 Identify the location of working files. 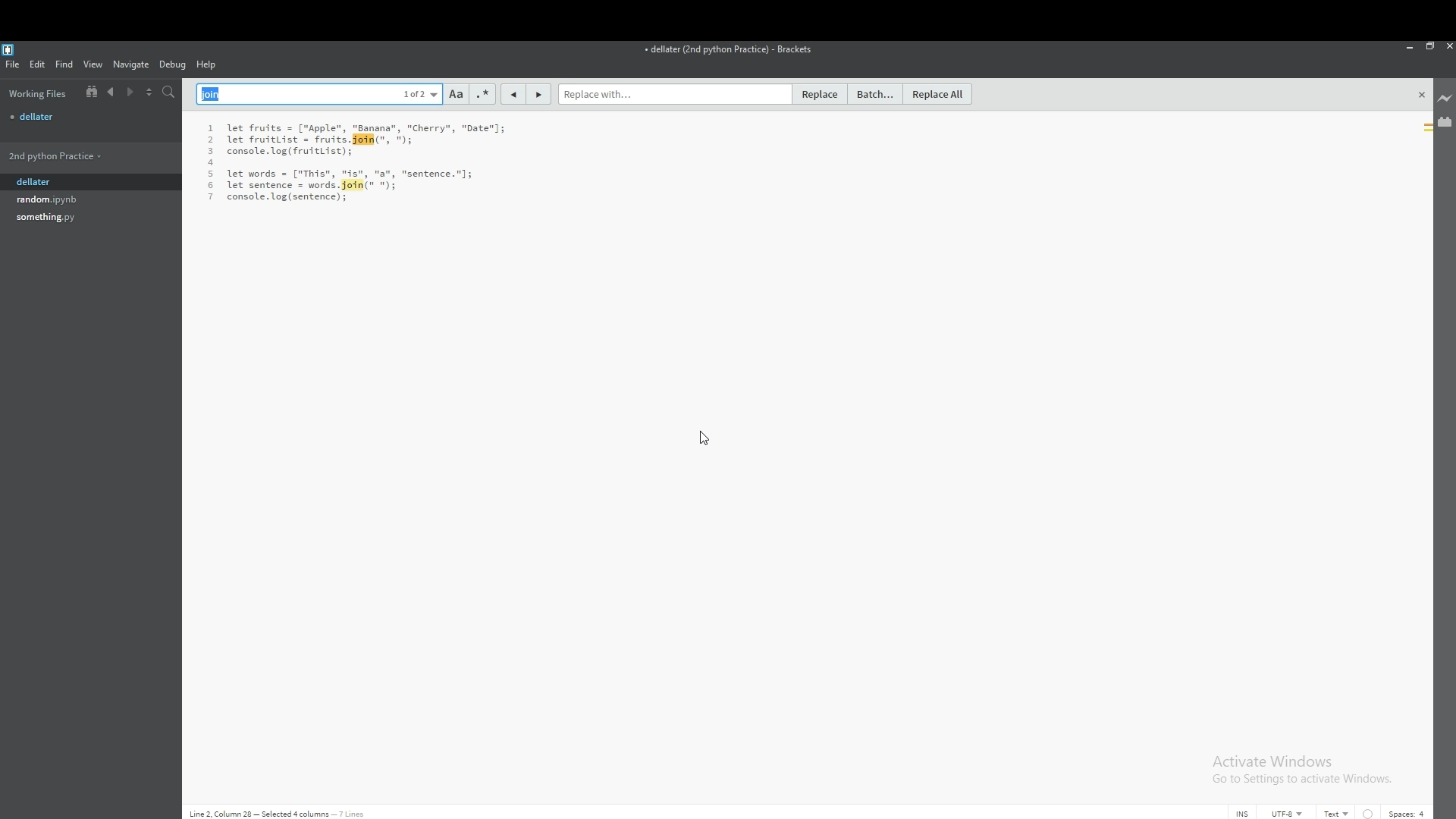
(38, 93).